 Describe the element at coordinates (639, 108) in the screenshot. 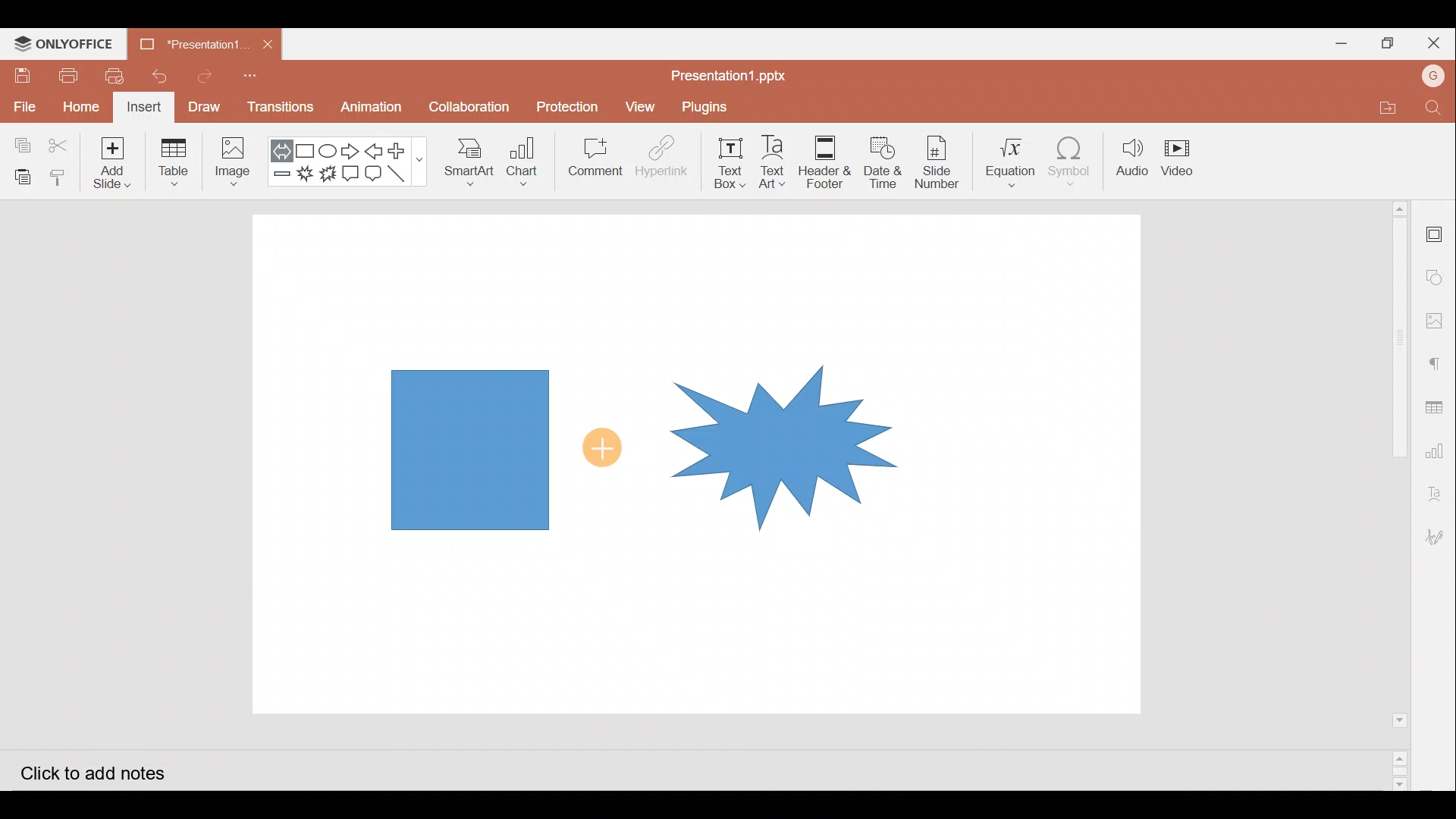

I see `View` at that location.